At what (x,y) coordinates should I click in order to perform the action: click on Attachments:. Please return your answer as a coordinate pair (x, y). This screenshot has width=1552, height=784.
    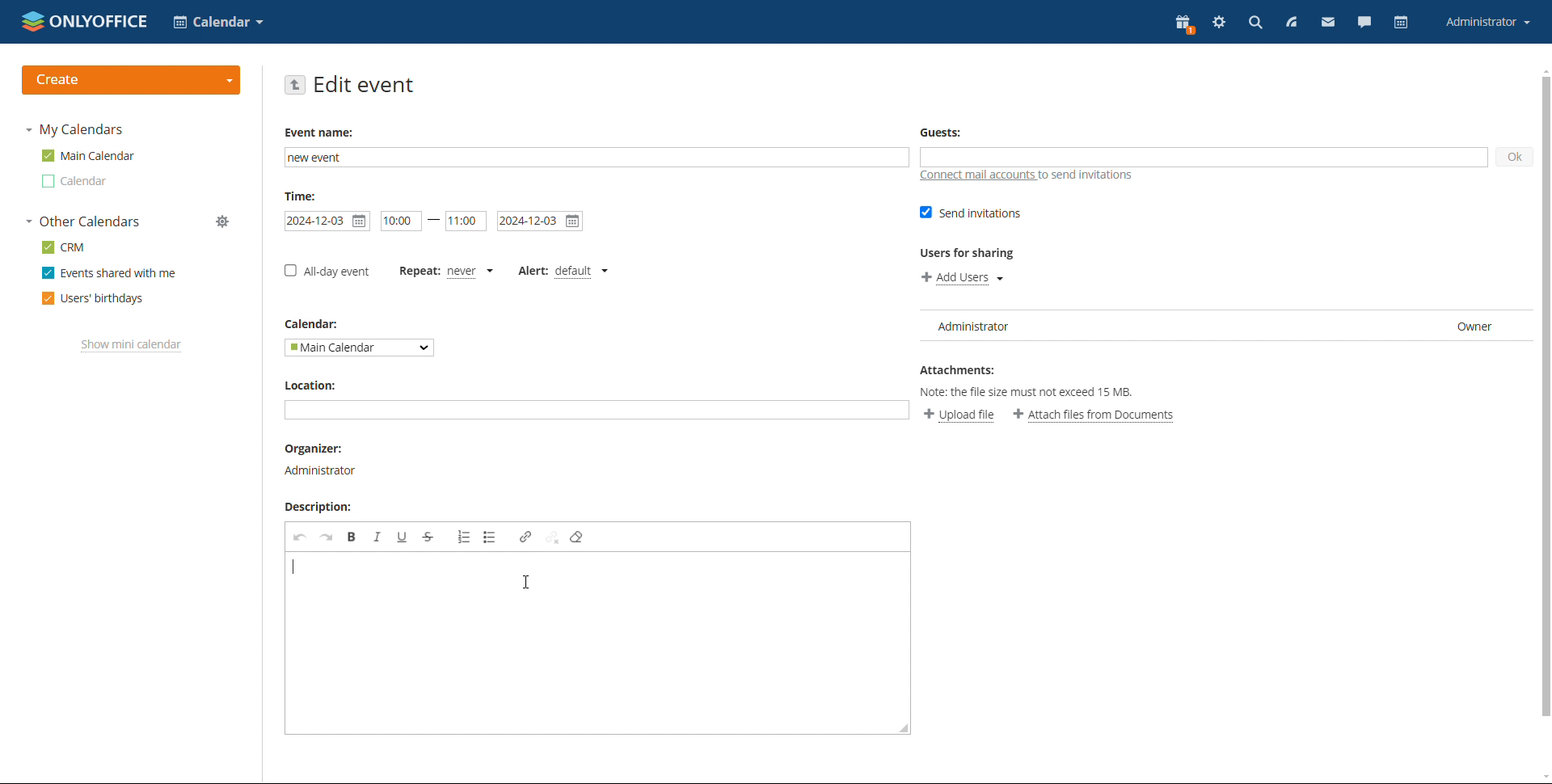
    Looking at the image, I should click on (959, 368).